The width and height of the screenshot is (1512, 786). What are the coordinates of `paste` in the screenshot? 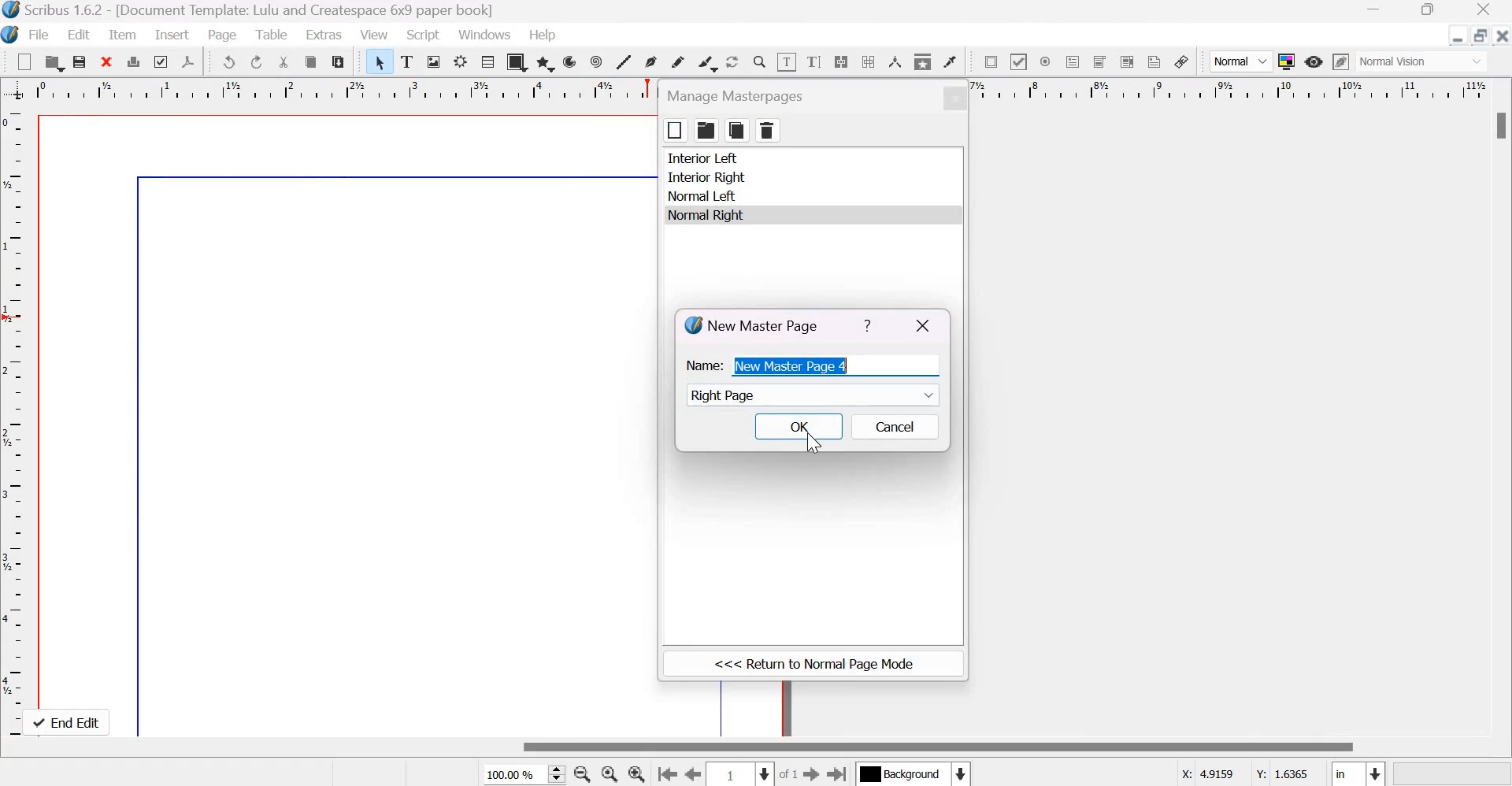 It's located at (338, 62).